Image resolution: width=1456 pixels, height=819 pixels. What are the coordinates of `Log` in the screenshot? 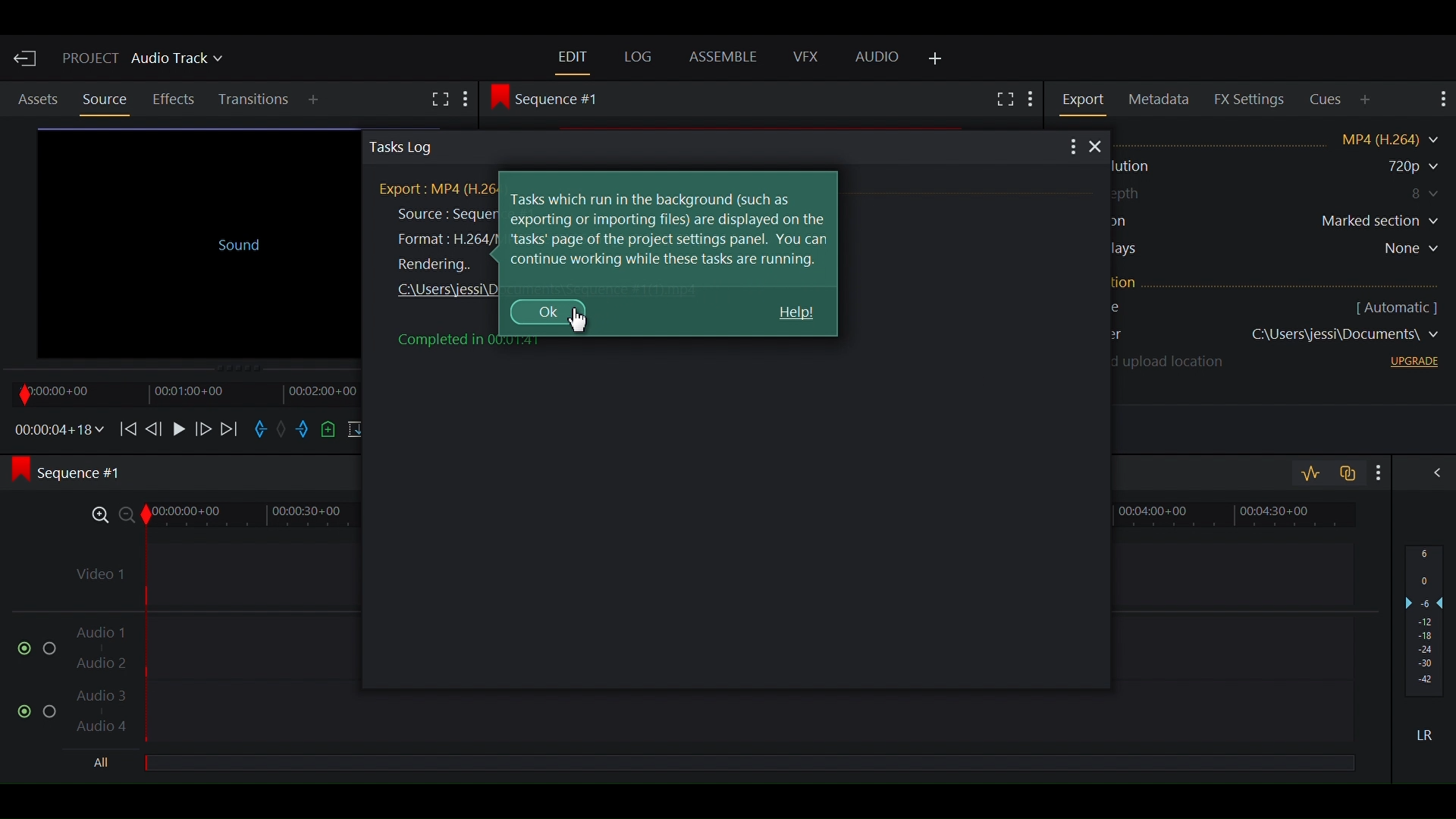 It's located at (639, 57).